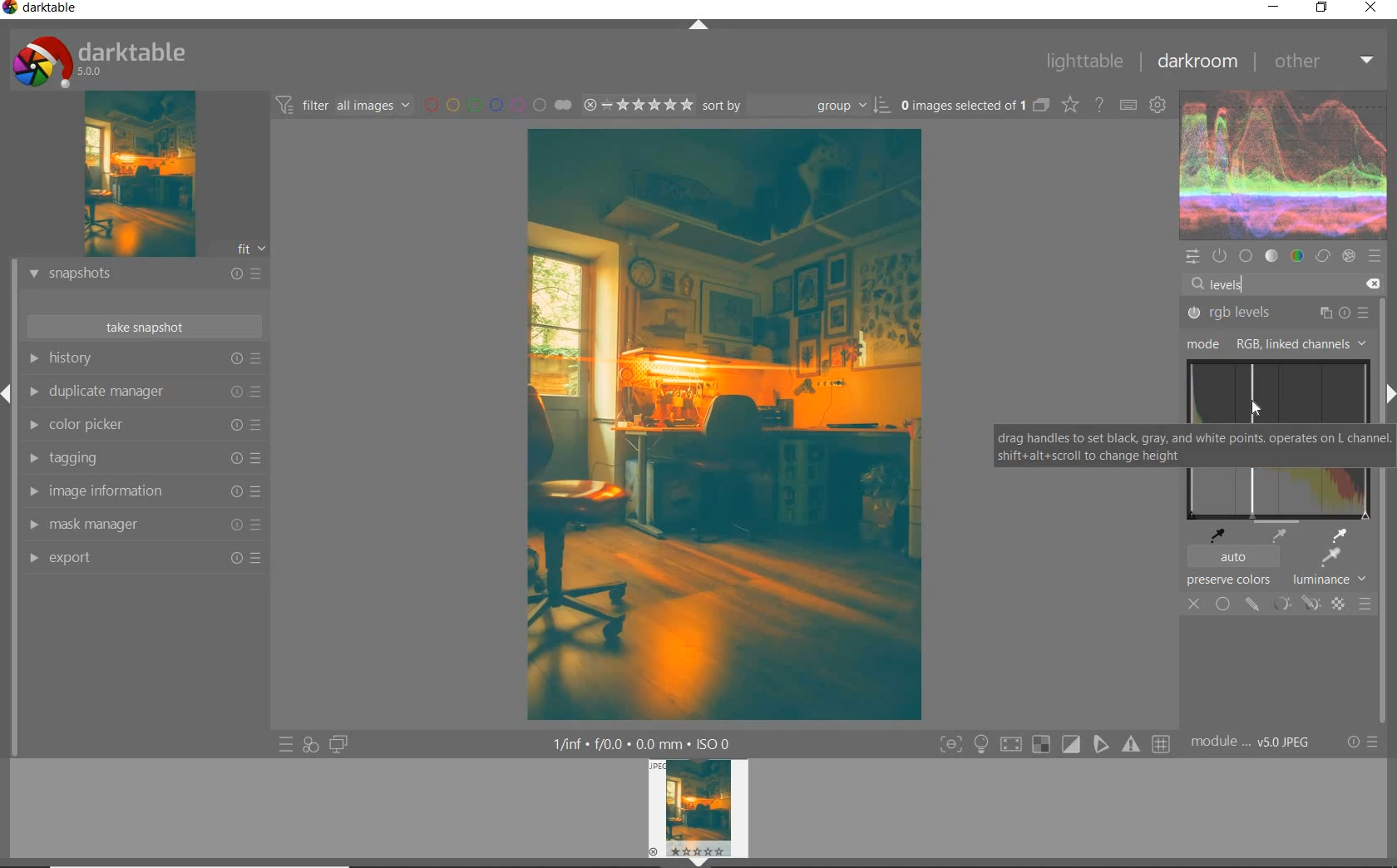 Image resolution: width=1397 pixels, height=868 pixels. What do you see at coordinates (1194, 604) in the screenshot?
I see `off` at bounding box center [1194, 604].